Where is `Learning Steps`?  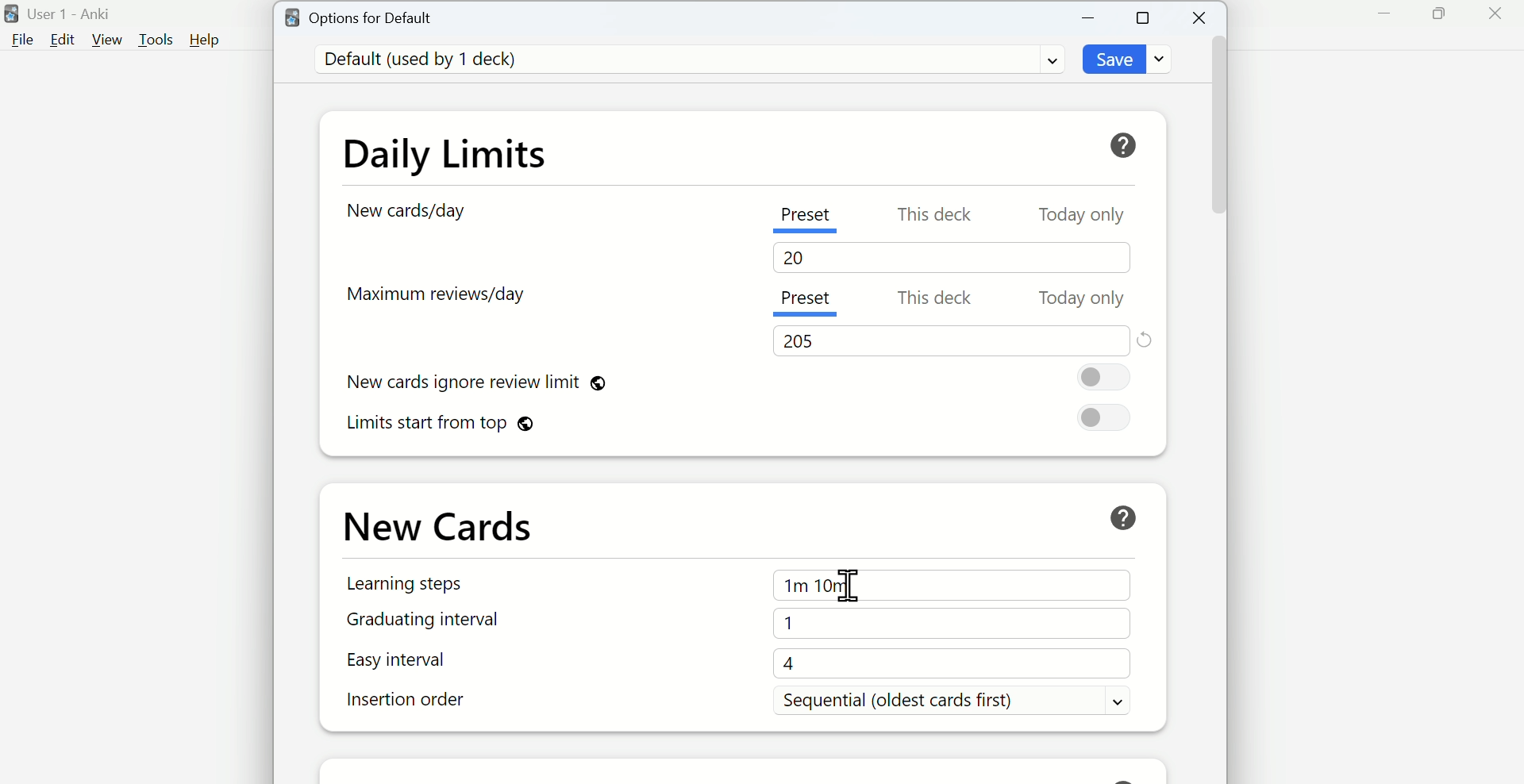 Learning Steps is located at coordinates (407, 587).